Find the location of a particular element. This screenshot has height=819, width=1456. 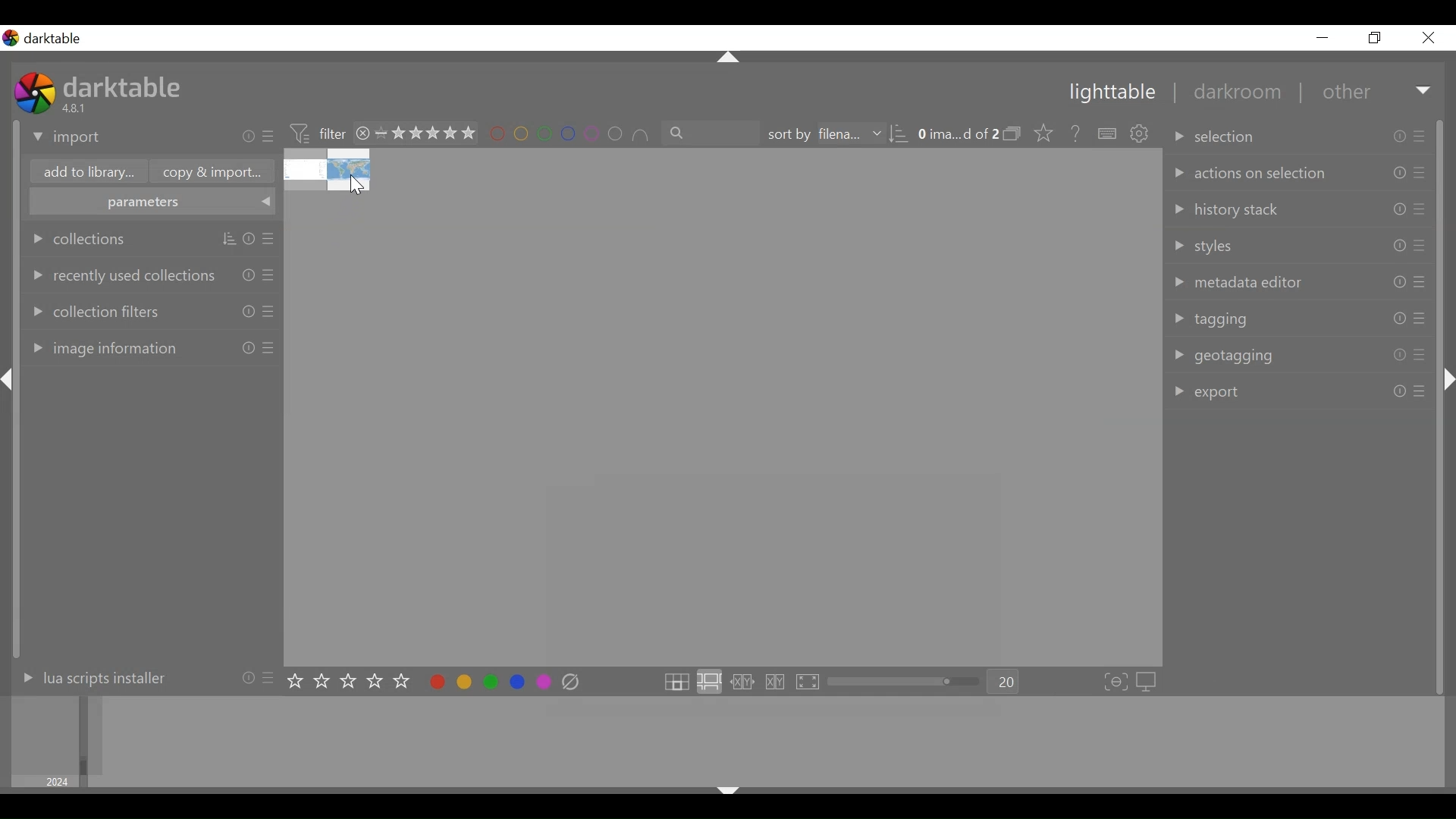

 is located at coordinates (736, 792).